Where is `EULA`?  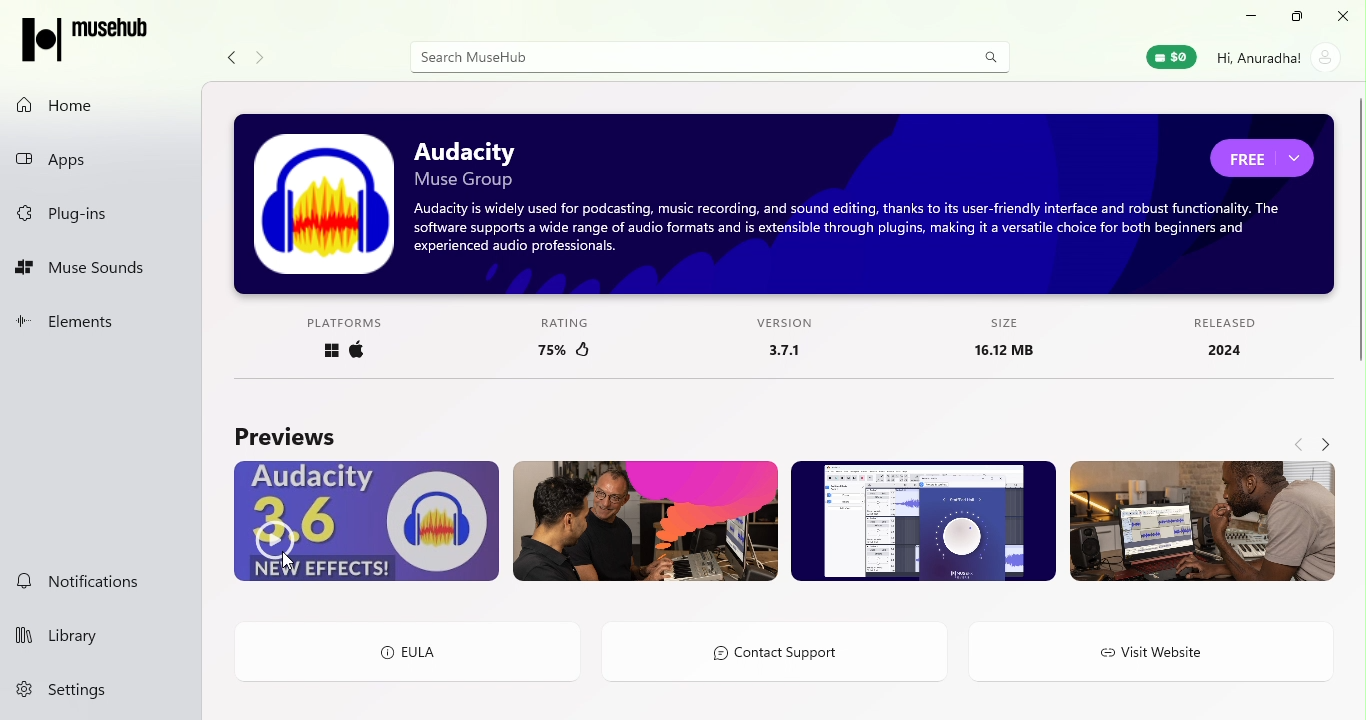
EULA is located at coordinates (406, 651).